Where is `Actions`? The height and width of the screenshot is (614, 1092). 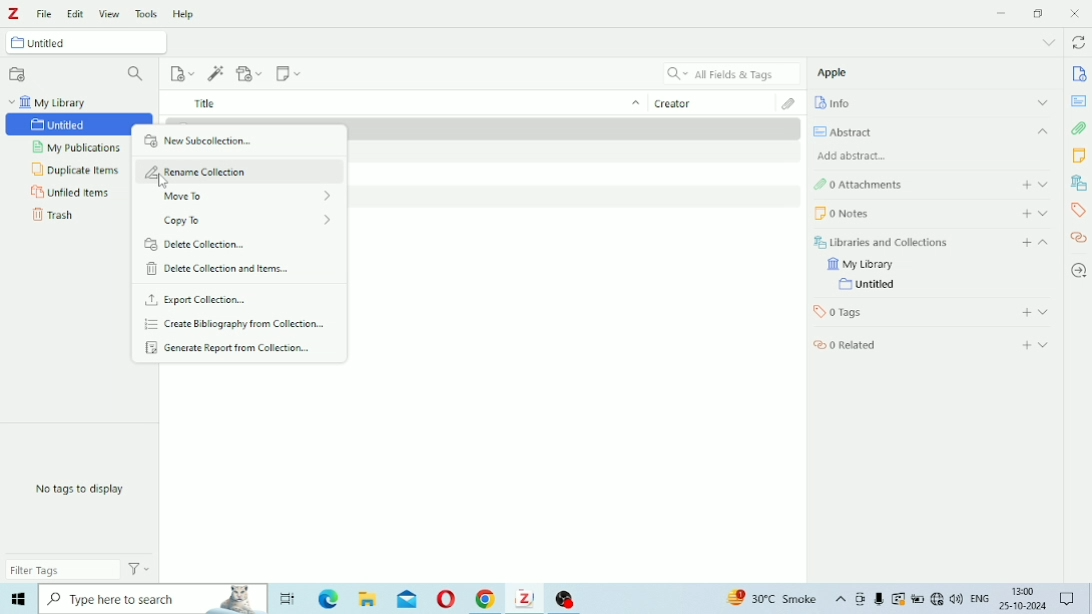
Actions is located at coordinates (142, 569).